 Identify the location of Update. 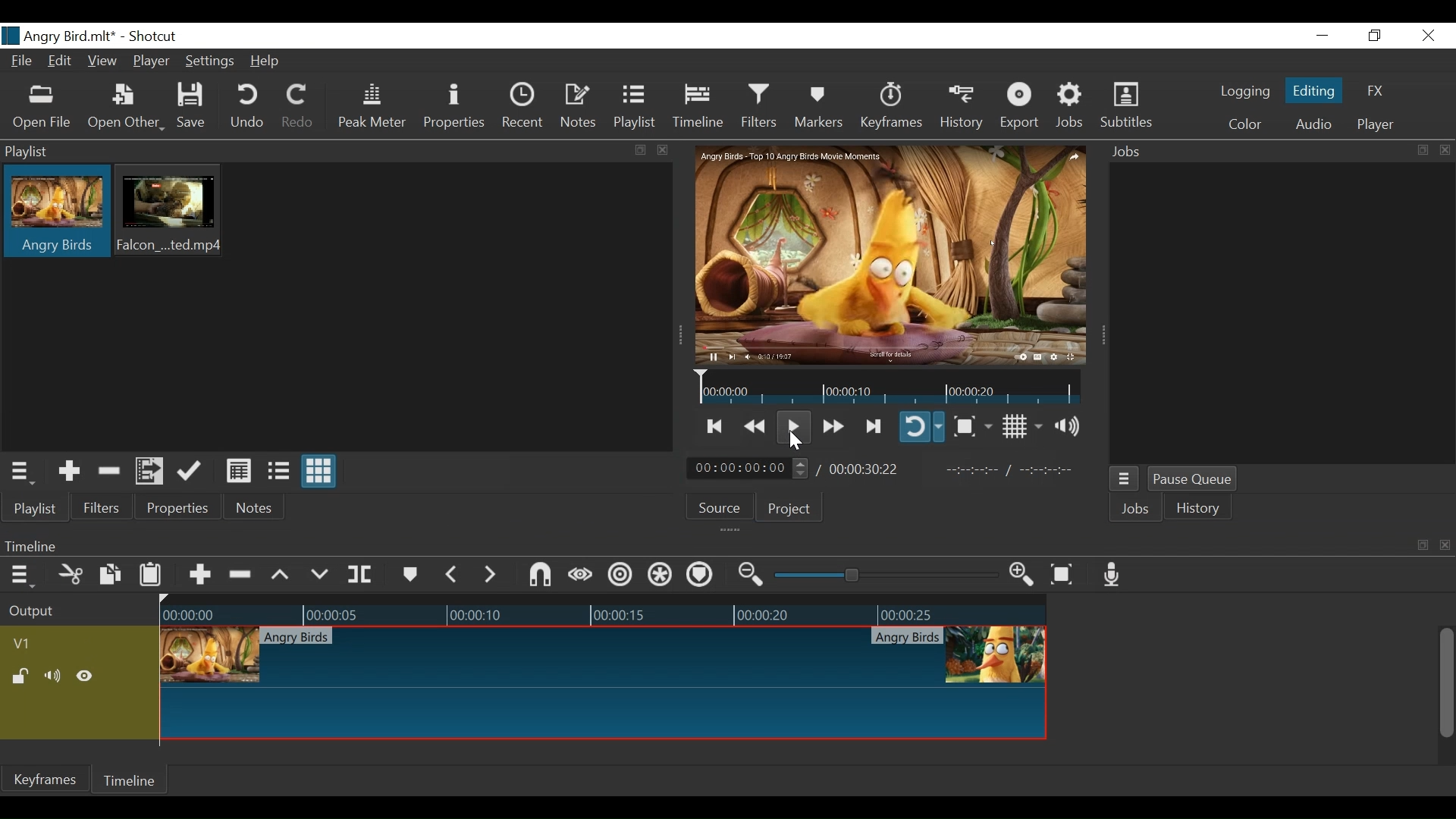
(190, 471).